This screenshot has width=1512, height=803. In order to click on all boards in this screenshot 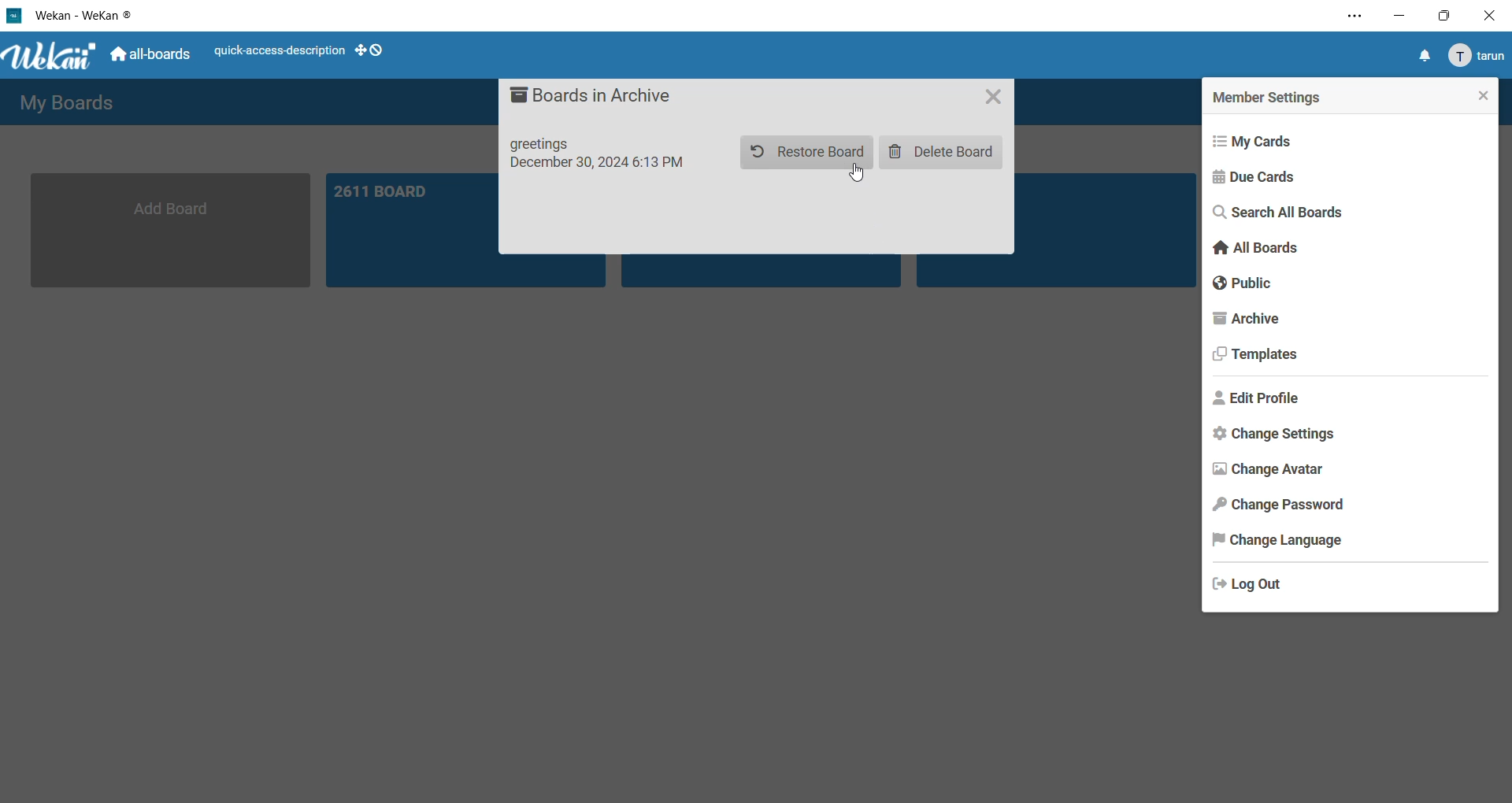, I will do `click(1256, 250)`.